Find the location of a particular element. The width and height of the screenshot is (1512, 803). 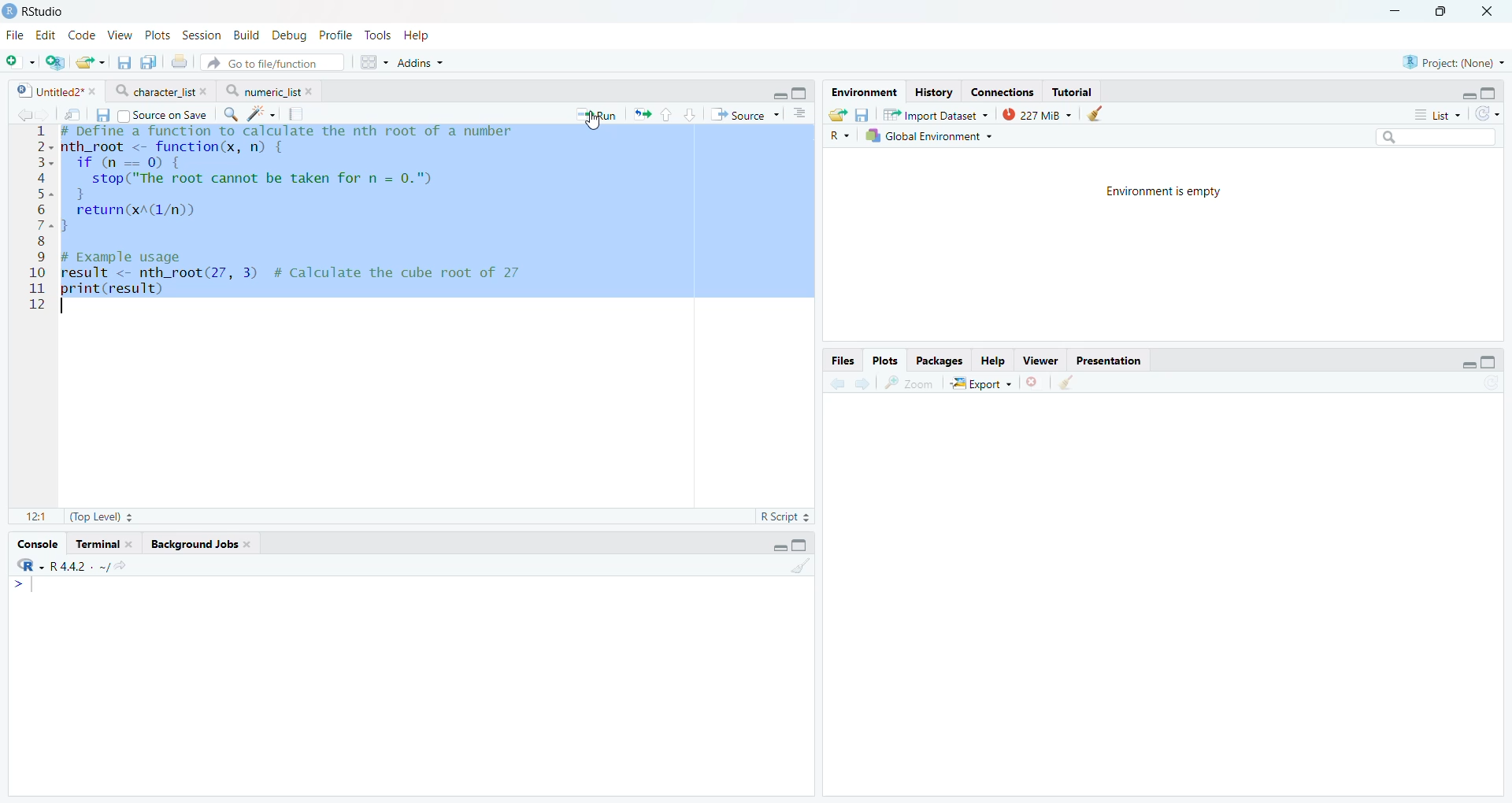

Source is located at coordinates (744, 114).